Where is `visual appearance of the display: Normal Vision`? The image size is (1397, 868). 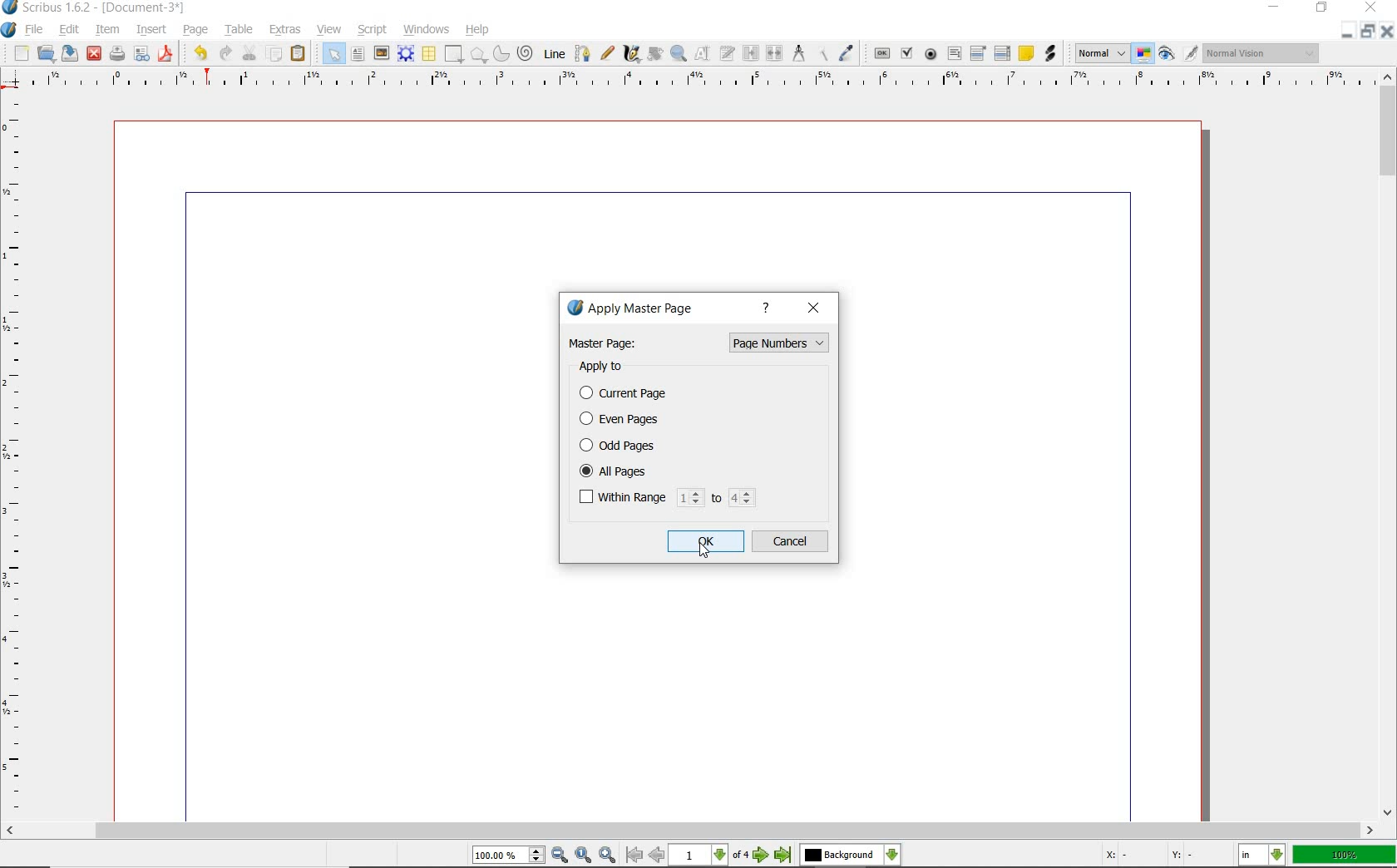
visual appearance of the display: Normal Vision is located at coordinates (1263, 53).